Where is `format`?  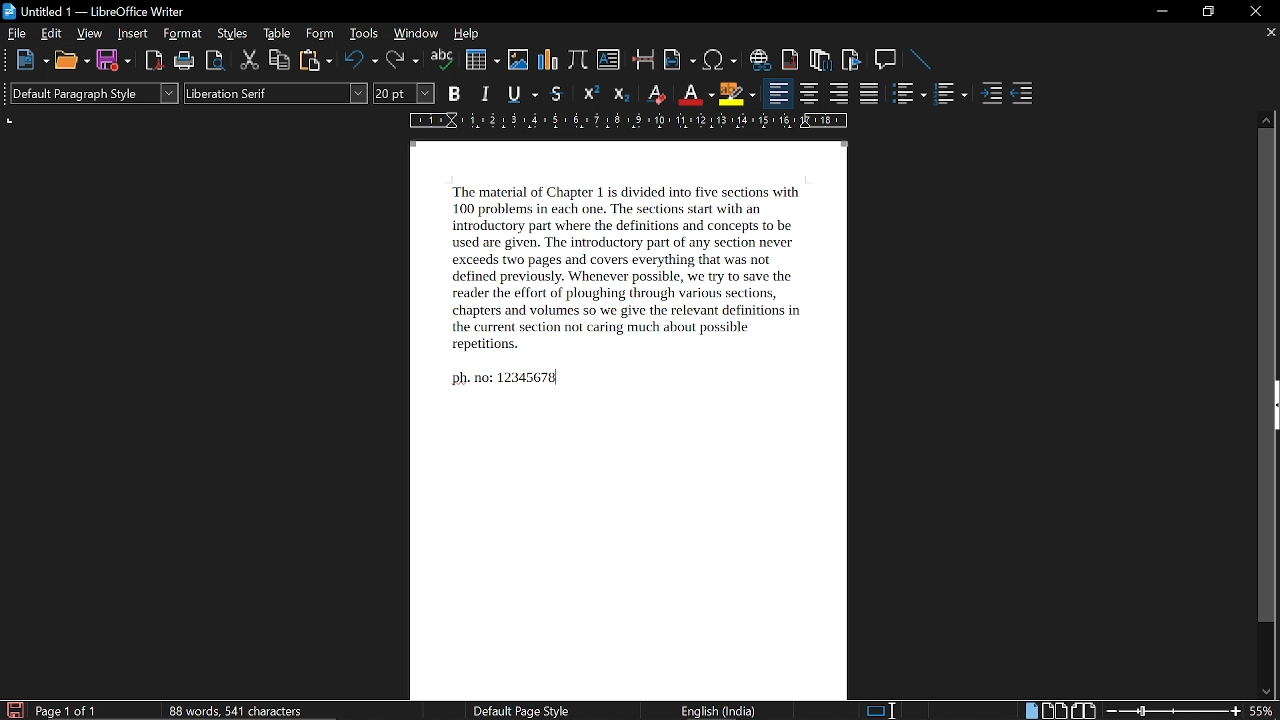 format is located at coordinates (180, 35).